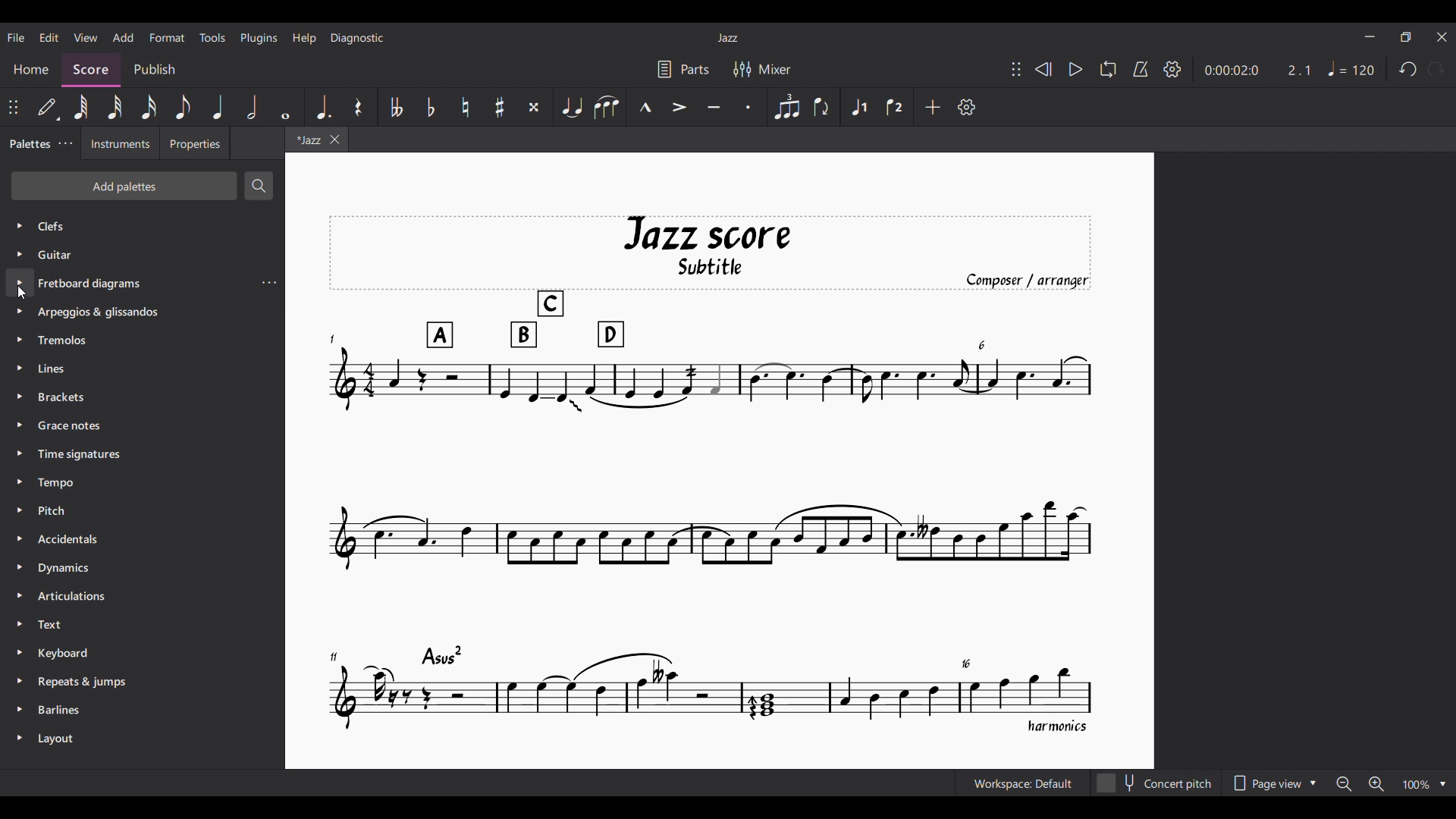  I want to click on Tremolos, so click(67, 342).